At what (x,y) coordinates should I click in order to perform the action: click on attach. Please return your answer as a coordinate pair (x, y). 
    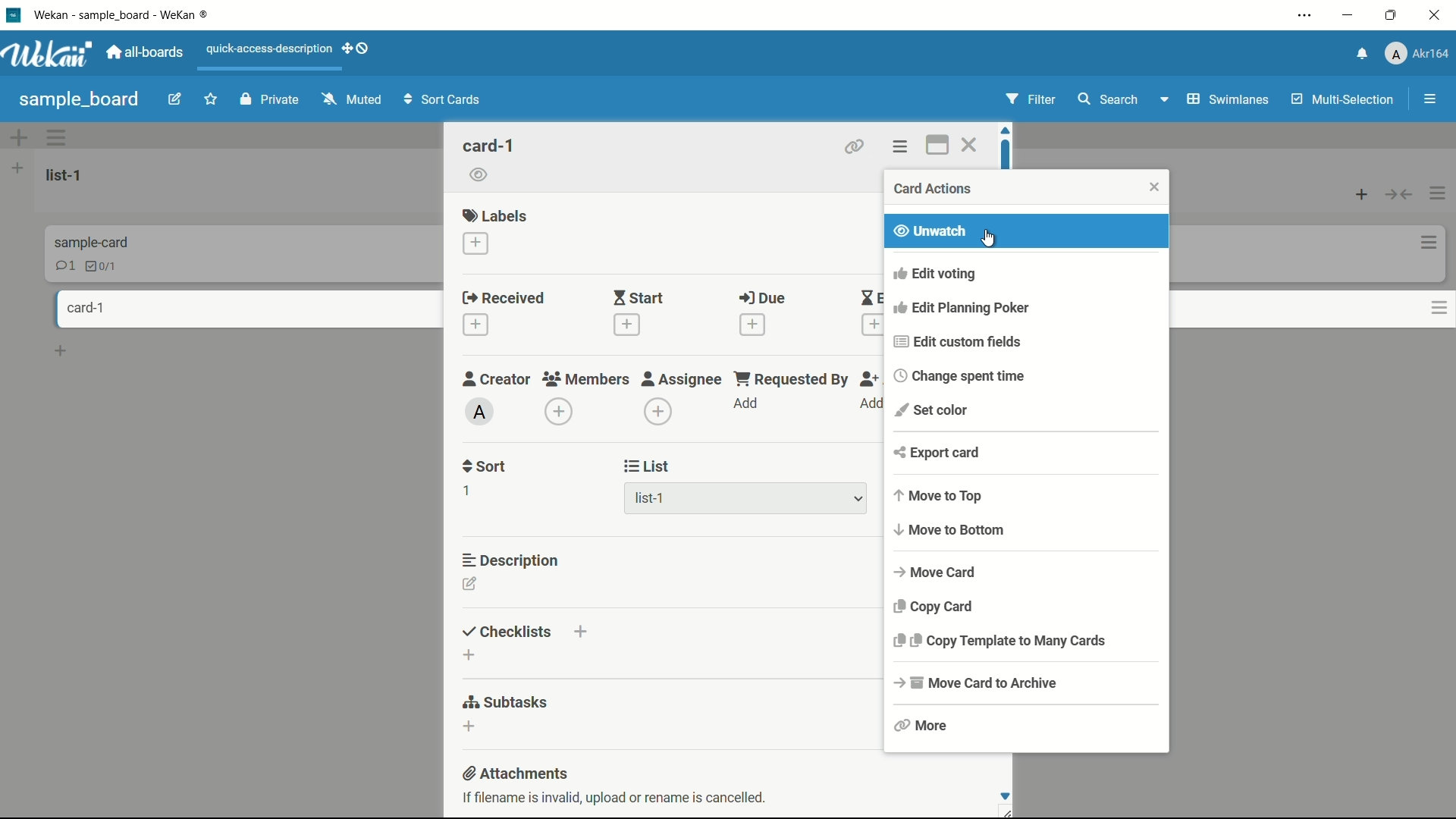
    Looking at the image, I should click on (852, 146).